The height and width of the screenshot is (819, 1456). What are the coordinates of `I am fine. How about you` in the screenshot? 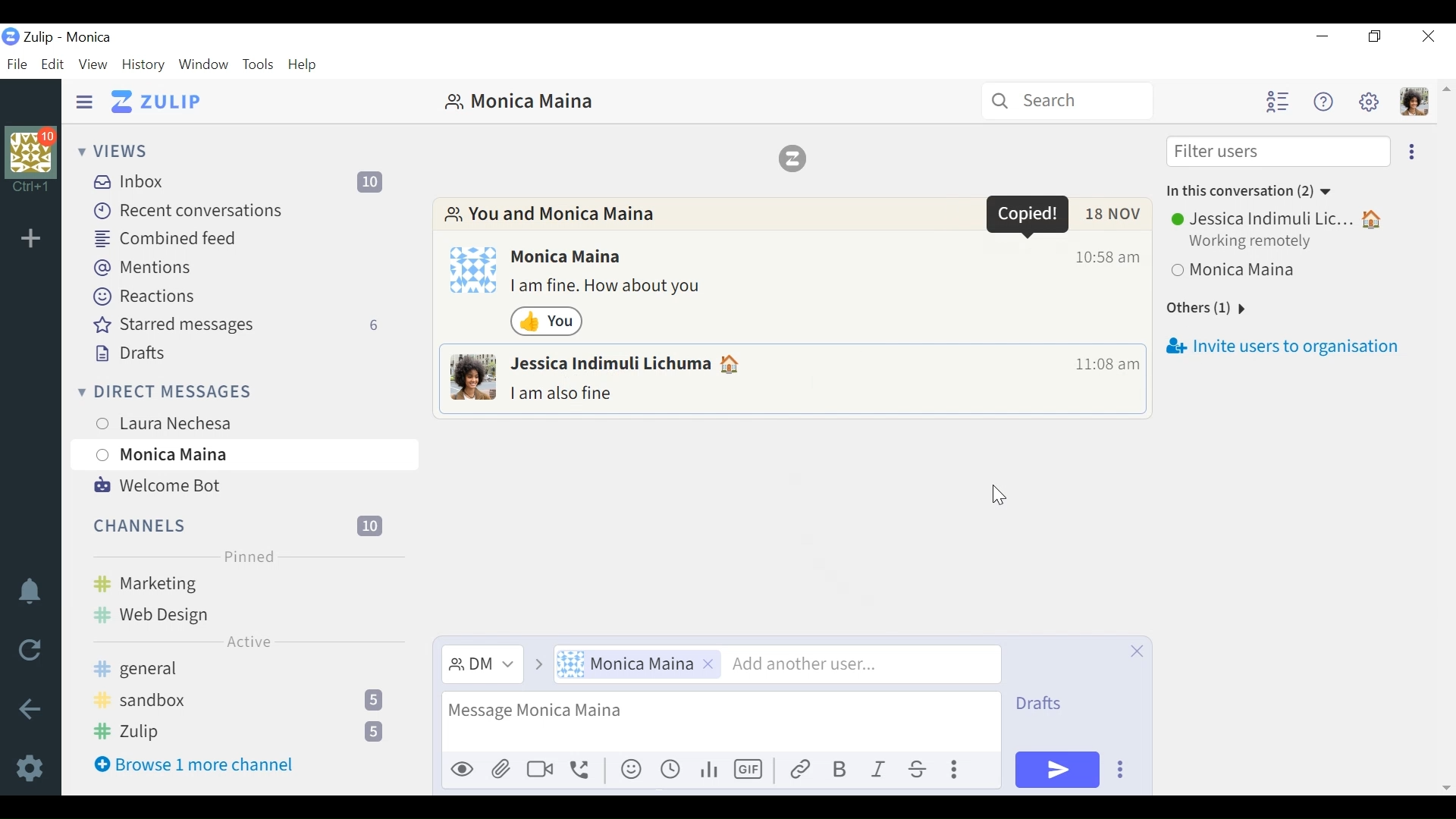 It's located at (610, 288).